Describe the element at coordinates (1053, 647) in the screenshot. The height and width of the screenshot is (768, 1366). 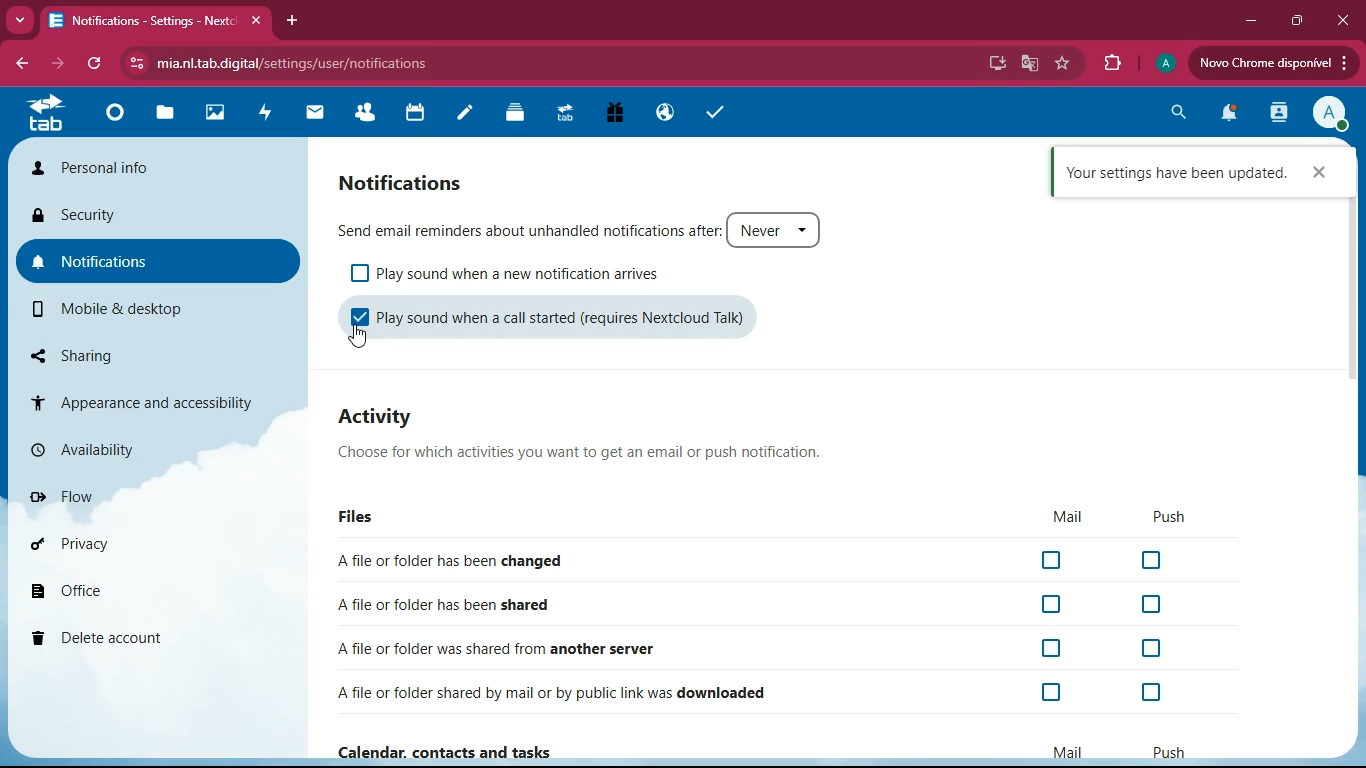
I see `off` at that location.